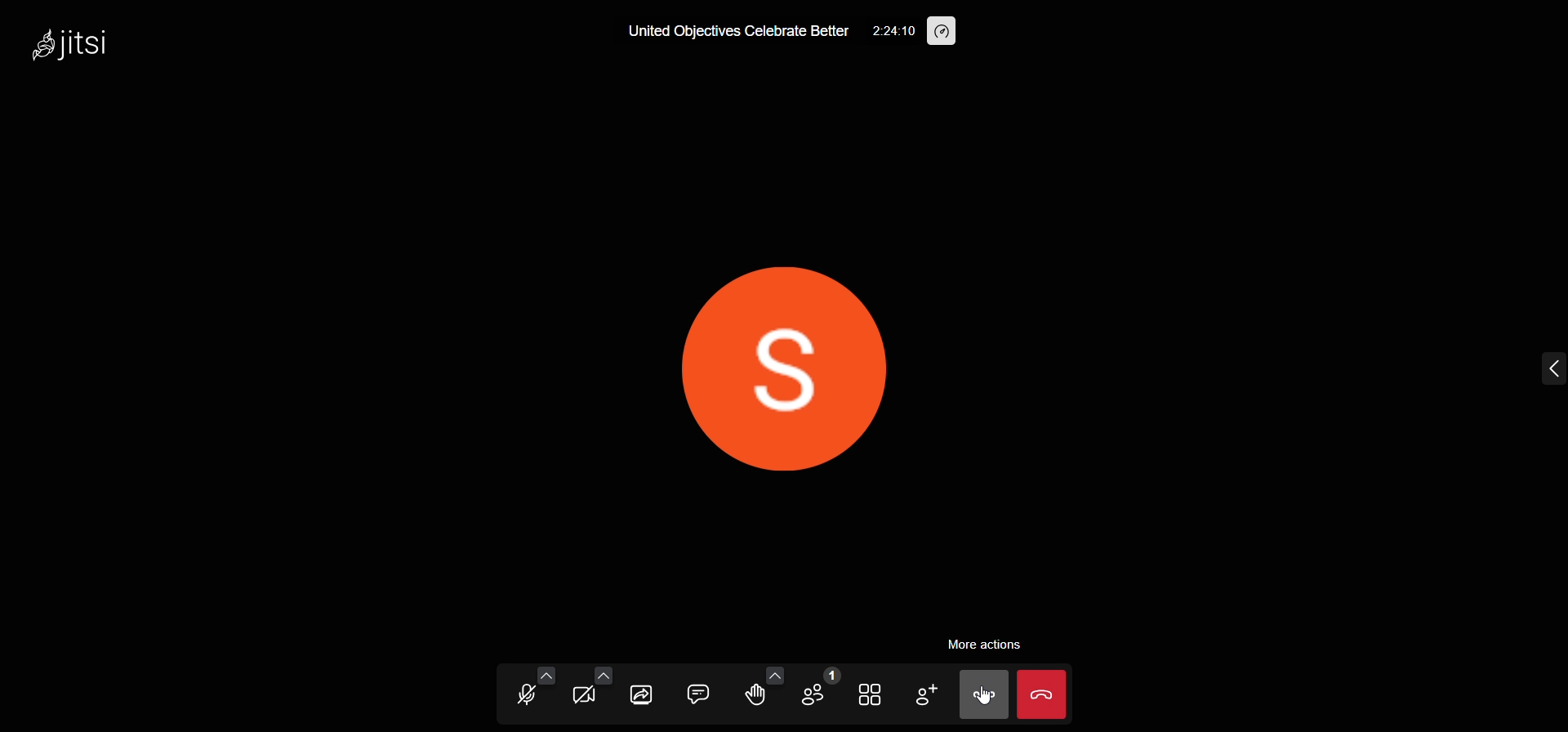  I want to click on cursor, so click(994, 705).